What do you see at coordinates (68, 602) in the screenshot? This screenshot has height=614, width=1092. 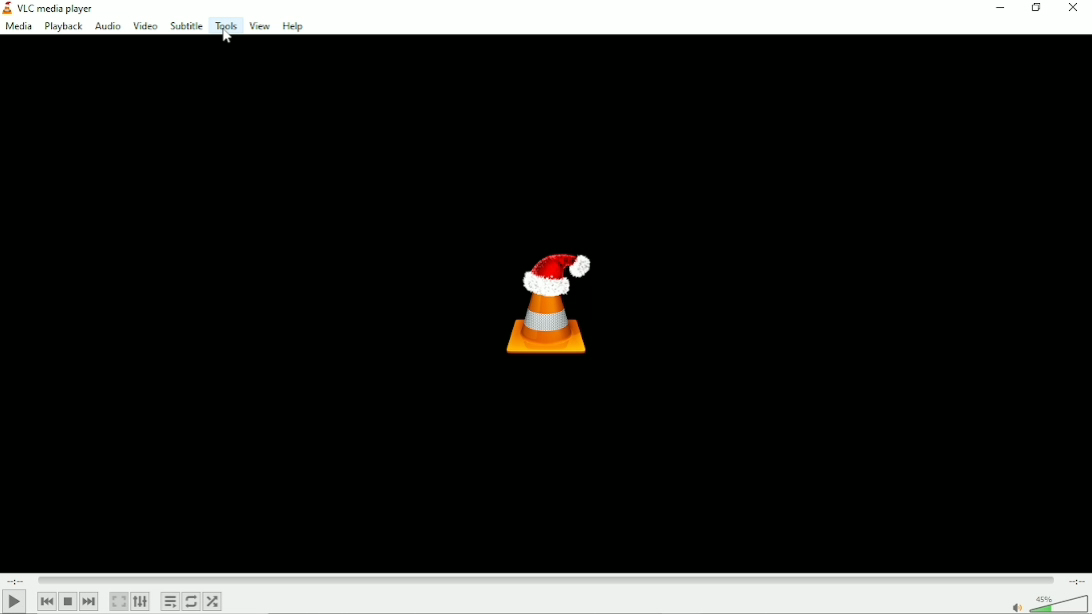 I see `Stop playlist` at bounding box center [68, 602].